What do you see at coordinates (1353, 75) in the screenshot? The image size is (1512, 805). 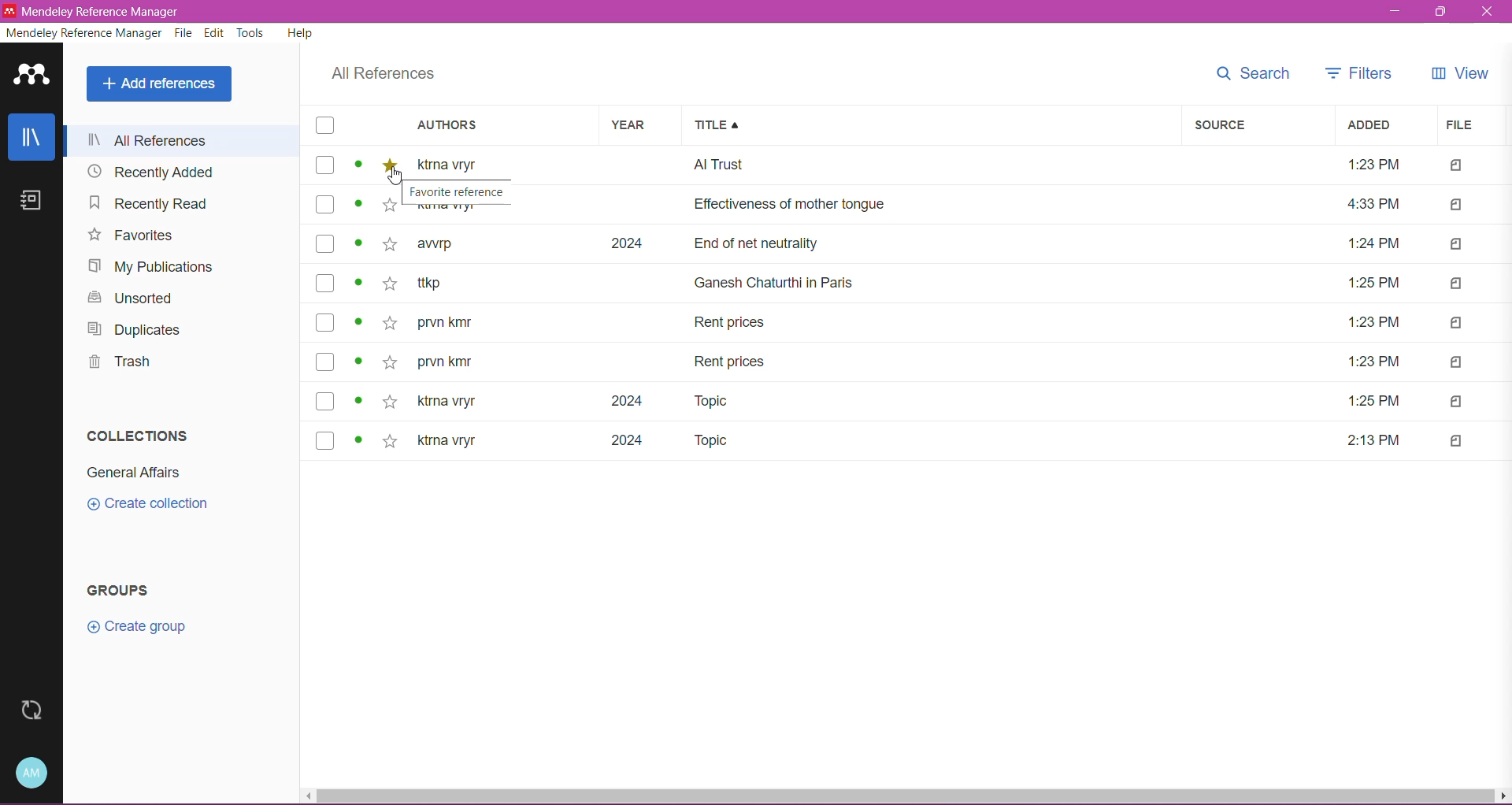 I see `Filters` at bounding box center [1353, 75].